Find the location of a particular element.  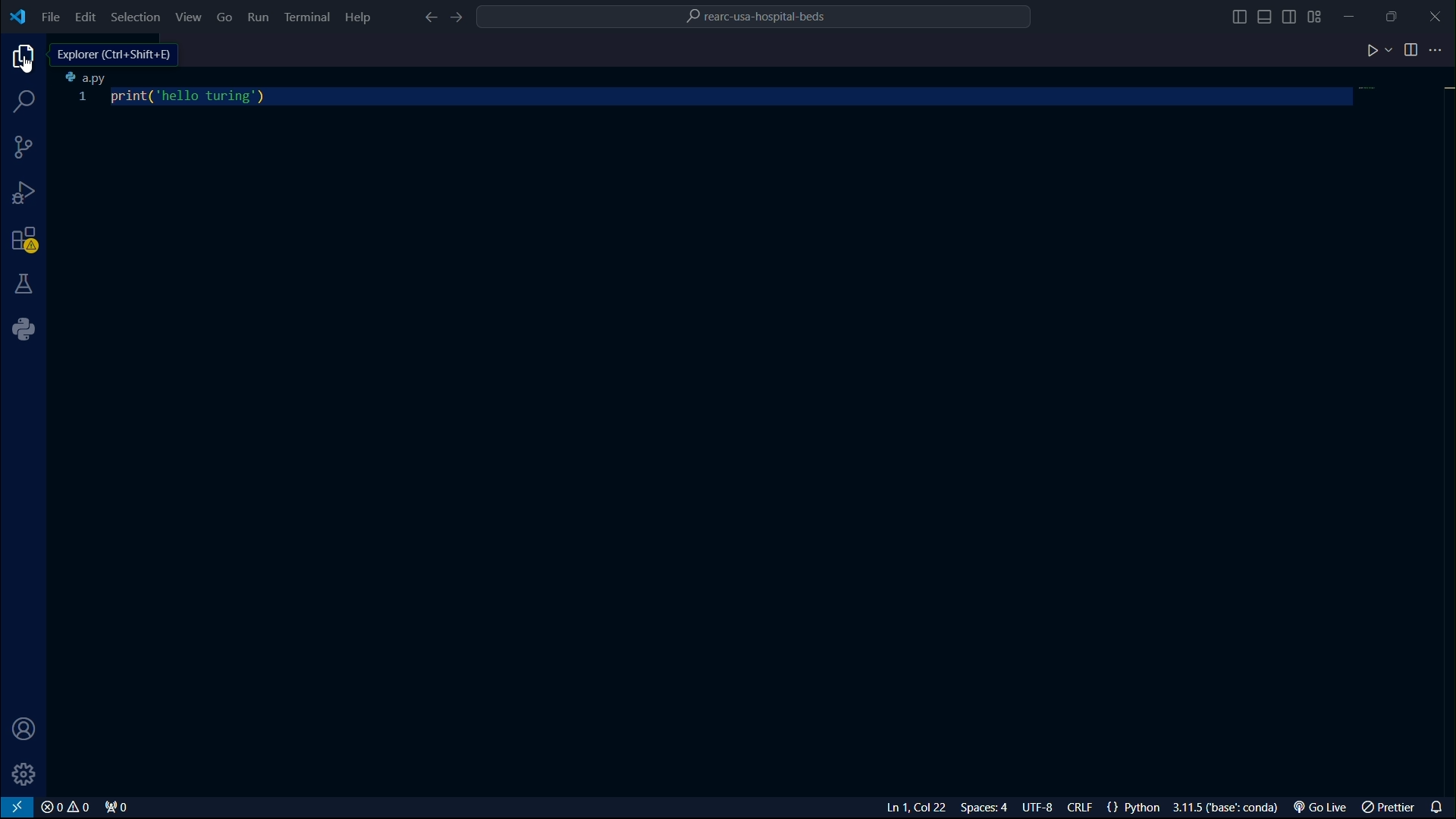

search is located at coordinates (24, 104).